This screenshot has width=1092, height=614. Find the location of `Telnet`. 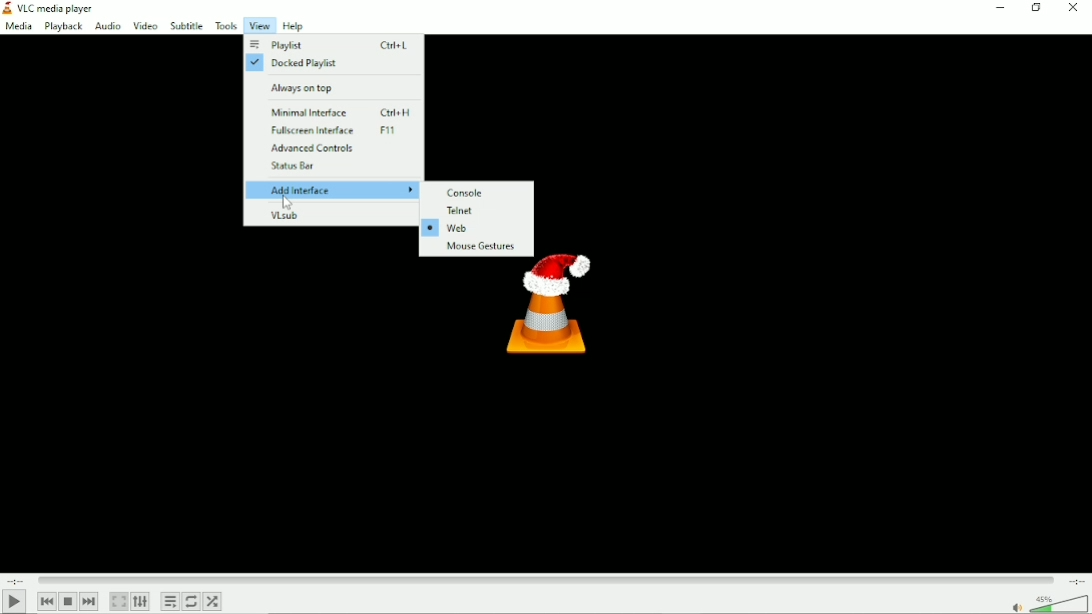

Telnet is located at coordinates (462, 211).